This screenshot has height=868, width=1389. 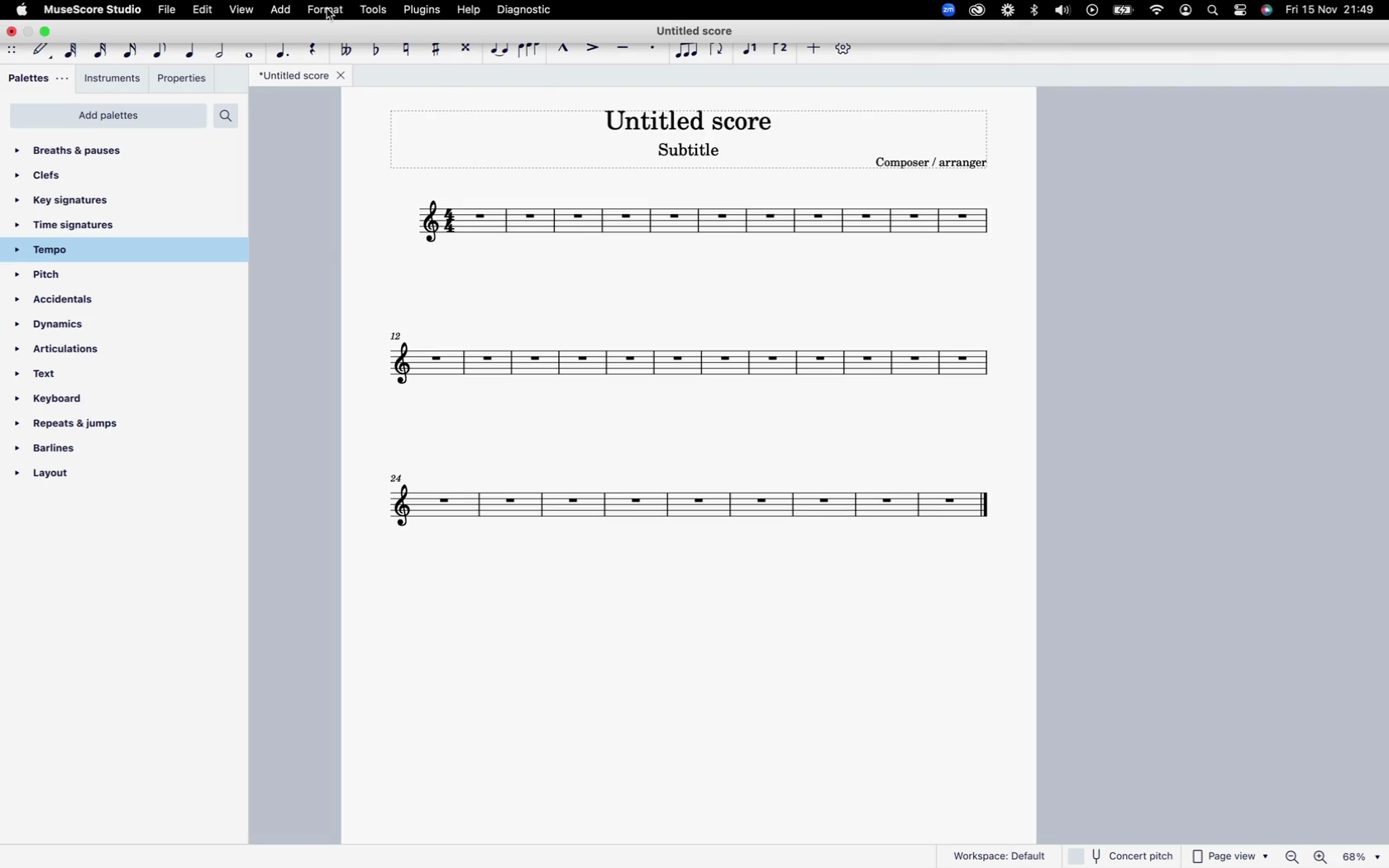 I want to click on time signatures, so click(x=94, y=227).